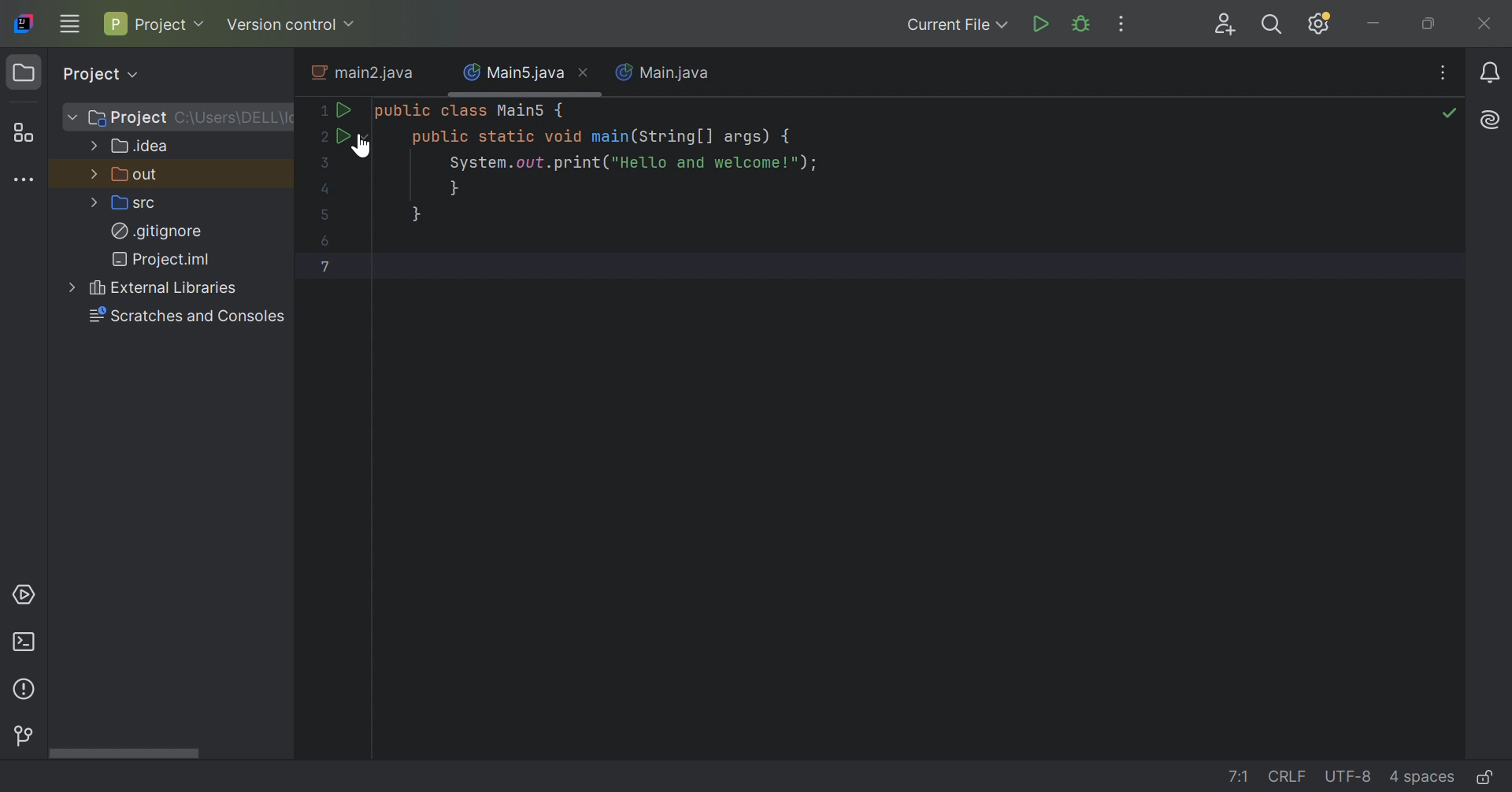 The width and height of the screenshot is (1512, 792). Describe the element at coordinates (322, 111) in the screenshot. I see `1` at that location.